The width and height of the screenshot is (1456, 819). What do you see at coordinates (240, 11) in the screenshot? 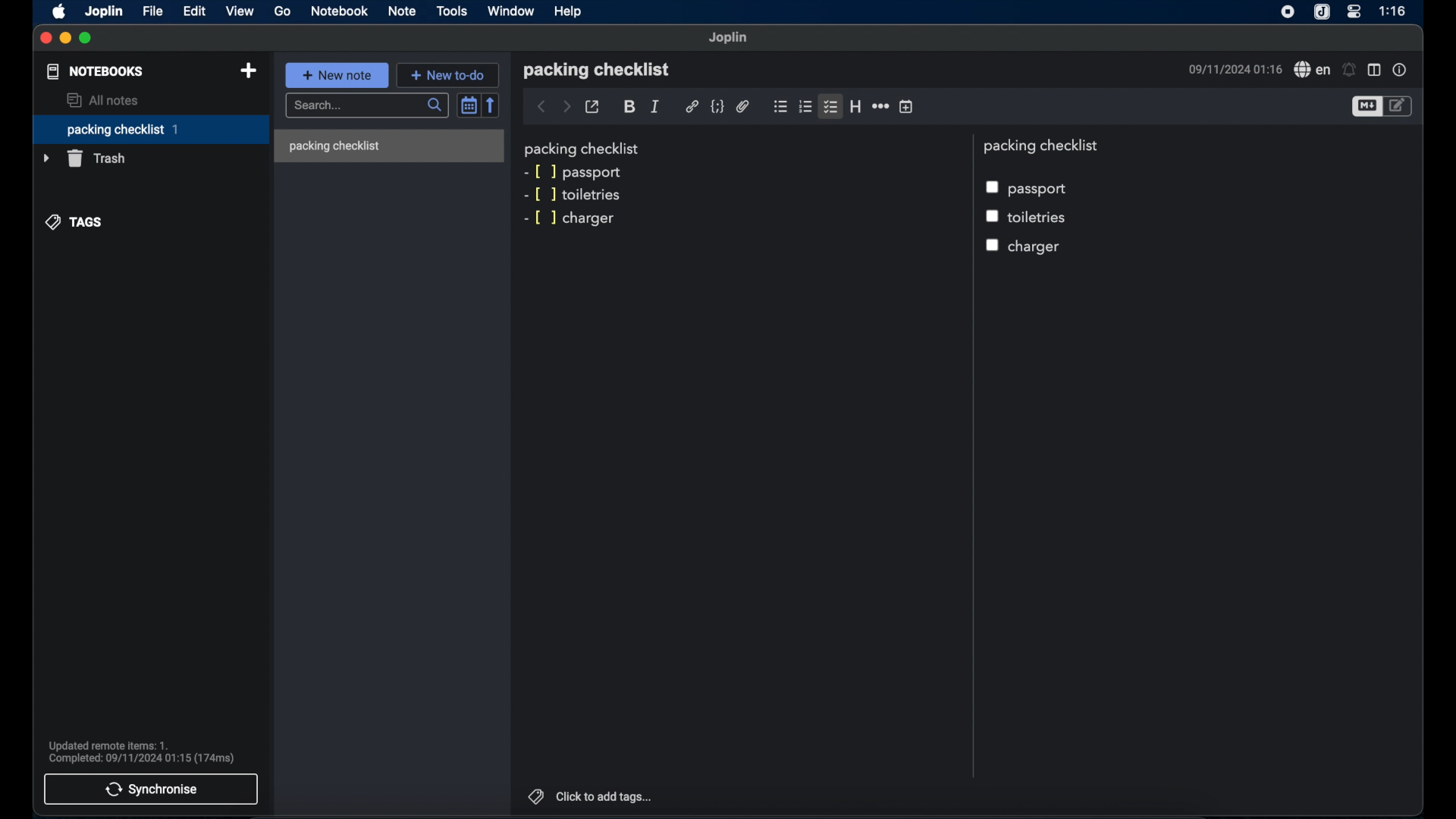
I see `view` at bounding box center [240, 11].